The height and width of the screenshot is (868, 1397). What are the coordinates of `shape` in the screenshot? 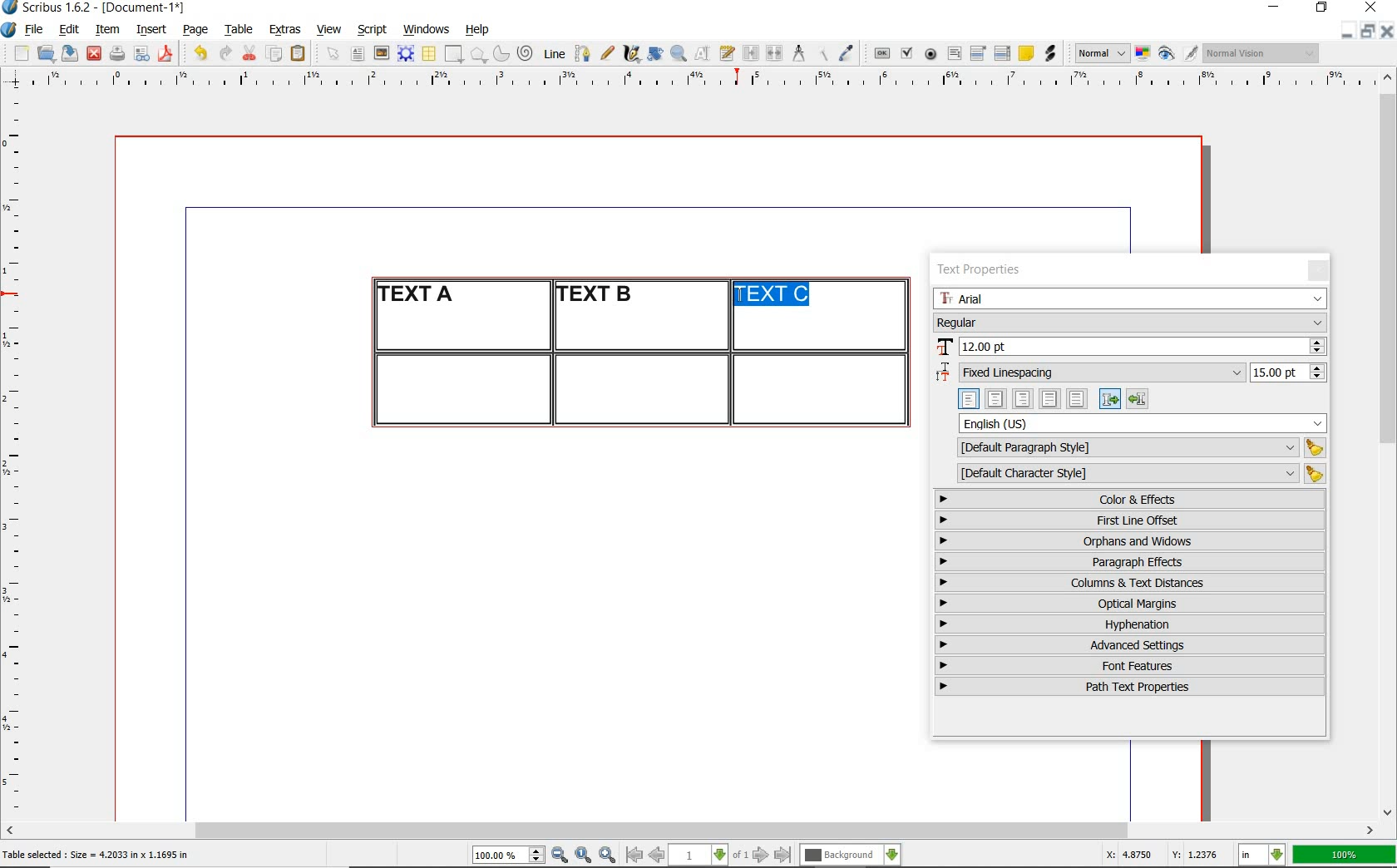 It's located at (456, 55).